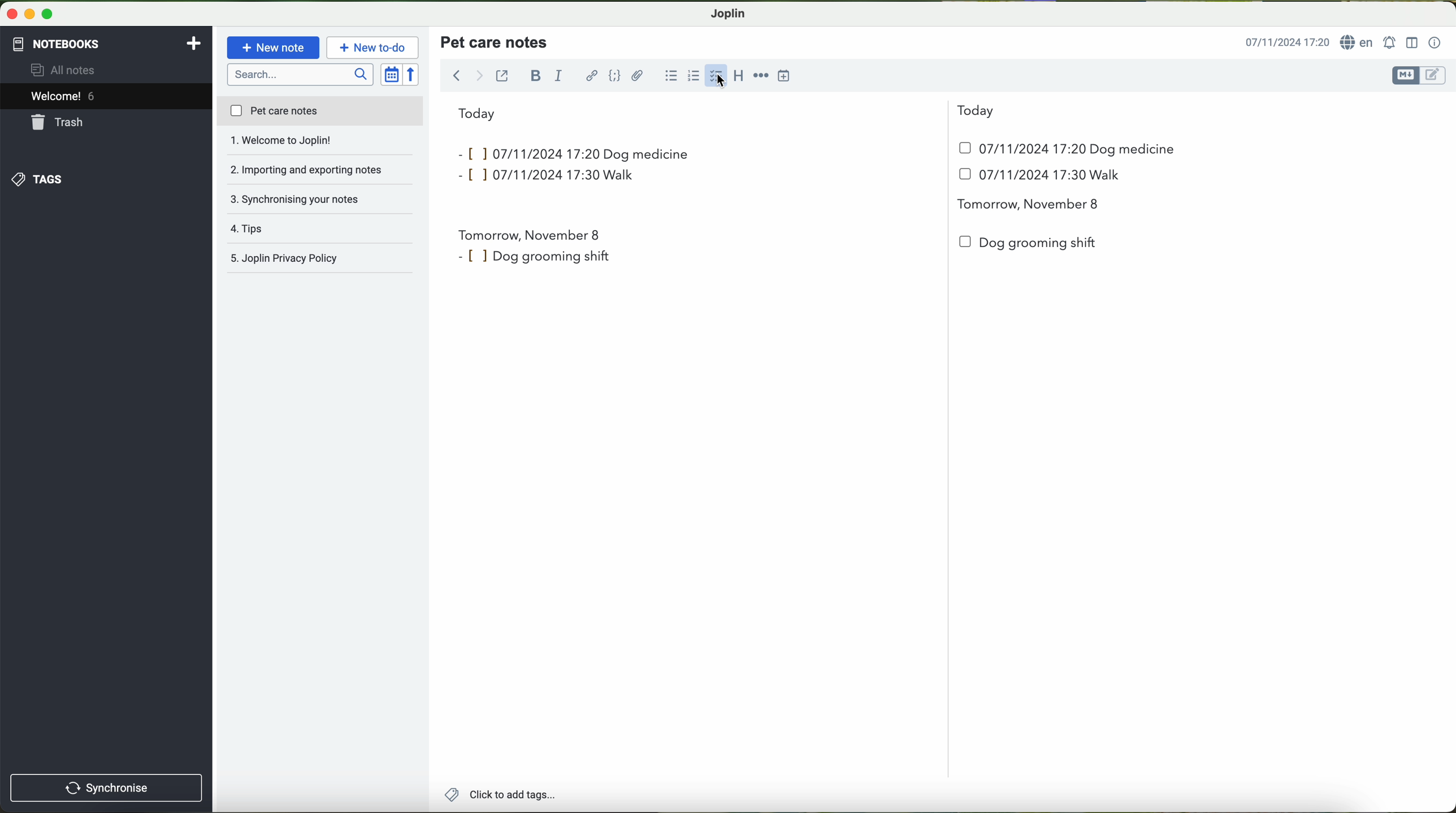 The image size is (1456, 813). What do you see at coordinates (106, 98) in the screenshot?
I see `welcome` at bounding box center [106, 98].